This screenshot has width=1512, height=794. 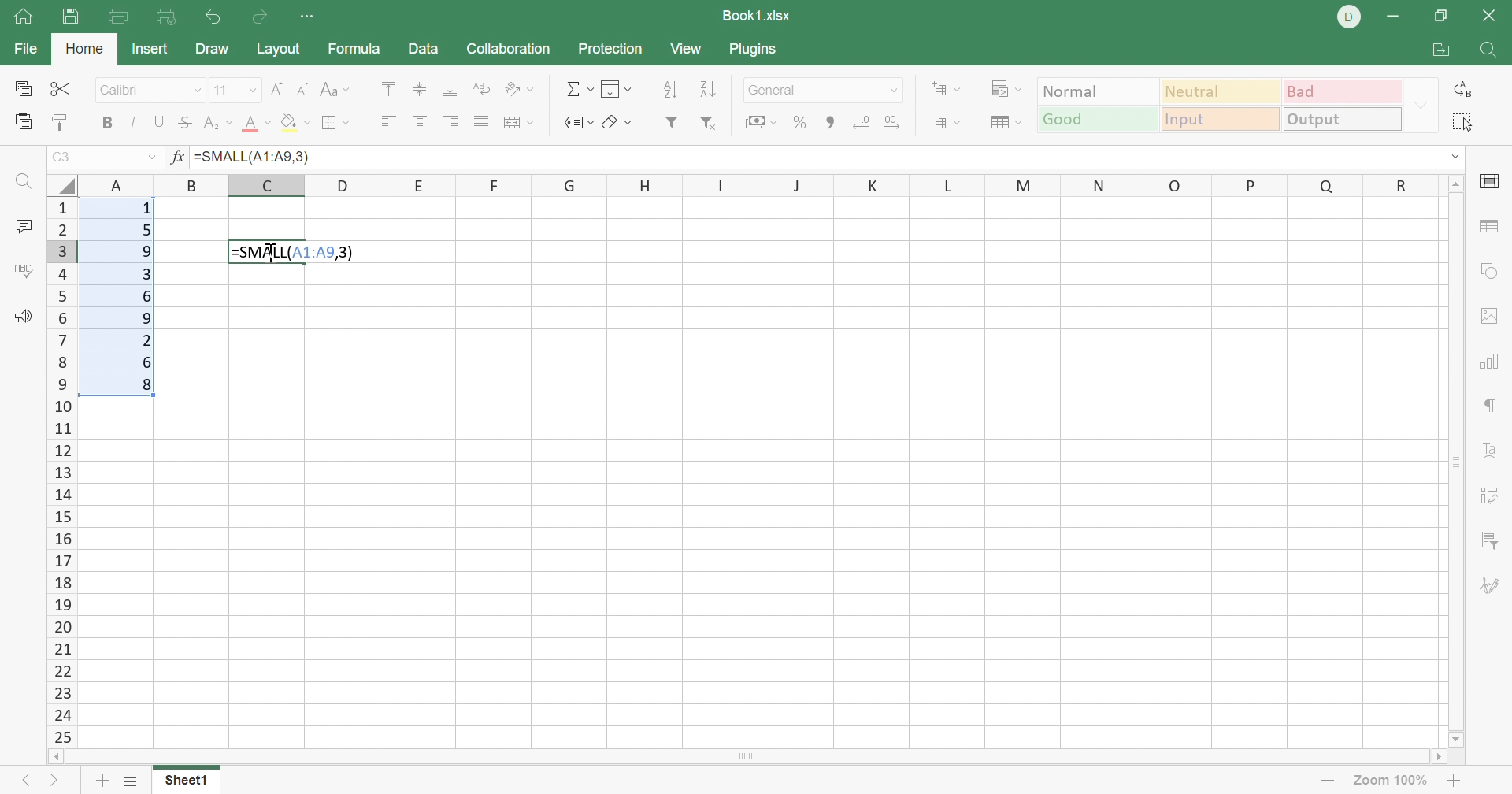 I want to click on Feedback & Support, so click(x=24, y=316).